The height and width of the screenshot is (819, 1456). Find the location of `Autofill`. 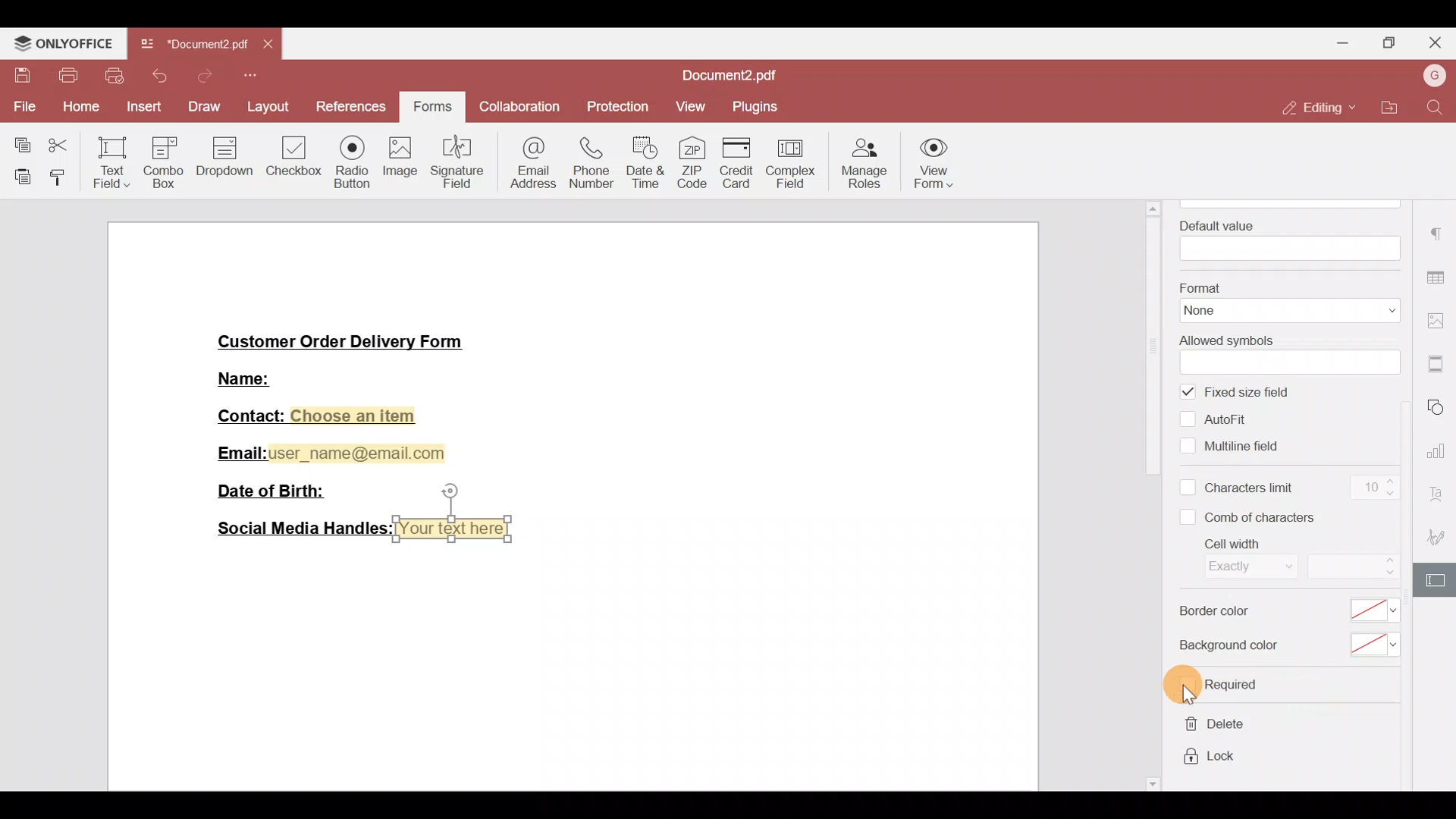

Autofill is located at coordinates (1221, 419).